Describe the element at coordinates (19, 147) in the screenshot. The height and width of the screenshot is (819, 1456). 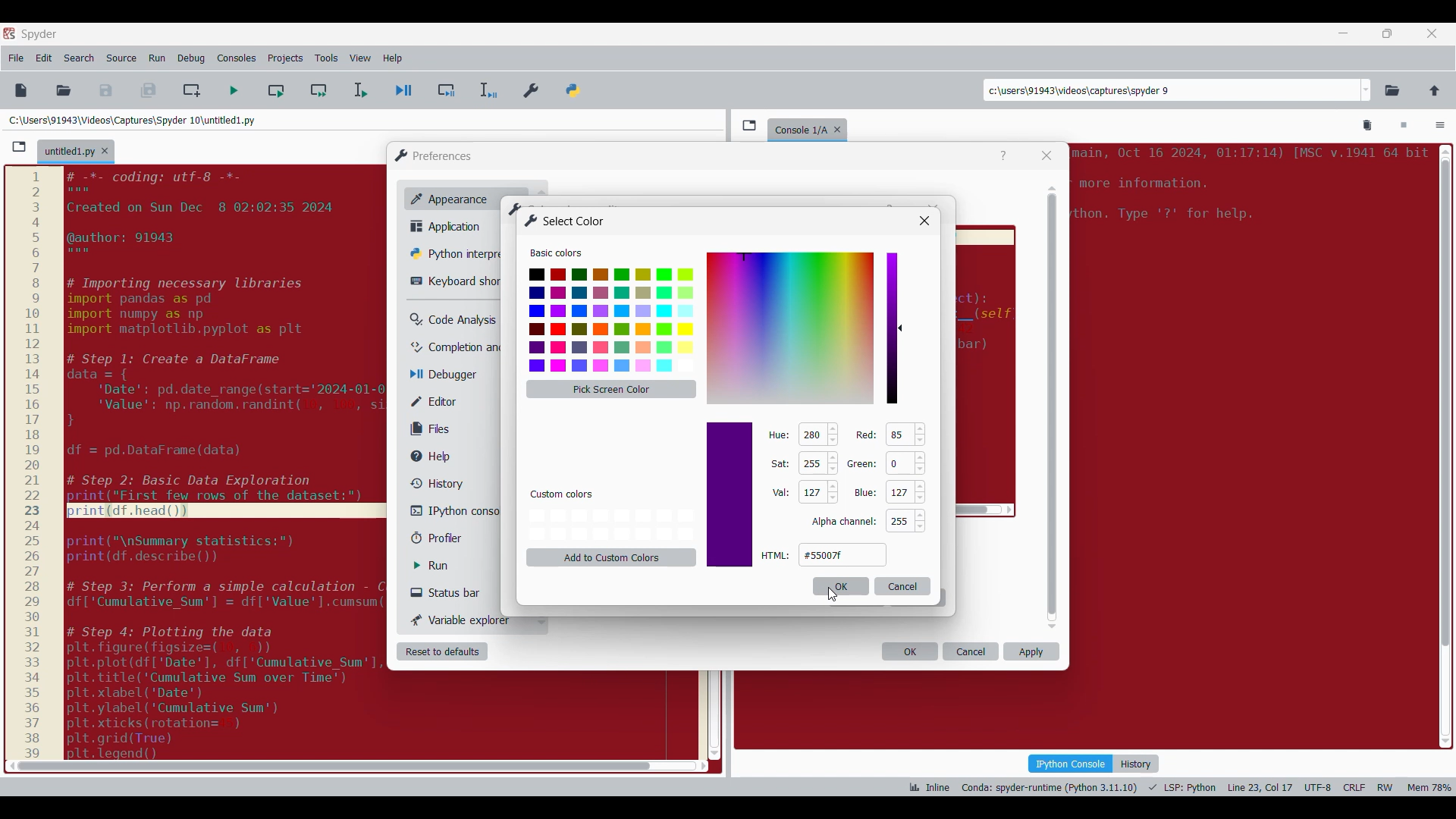
I see `Browse tabs` at that location.